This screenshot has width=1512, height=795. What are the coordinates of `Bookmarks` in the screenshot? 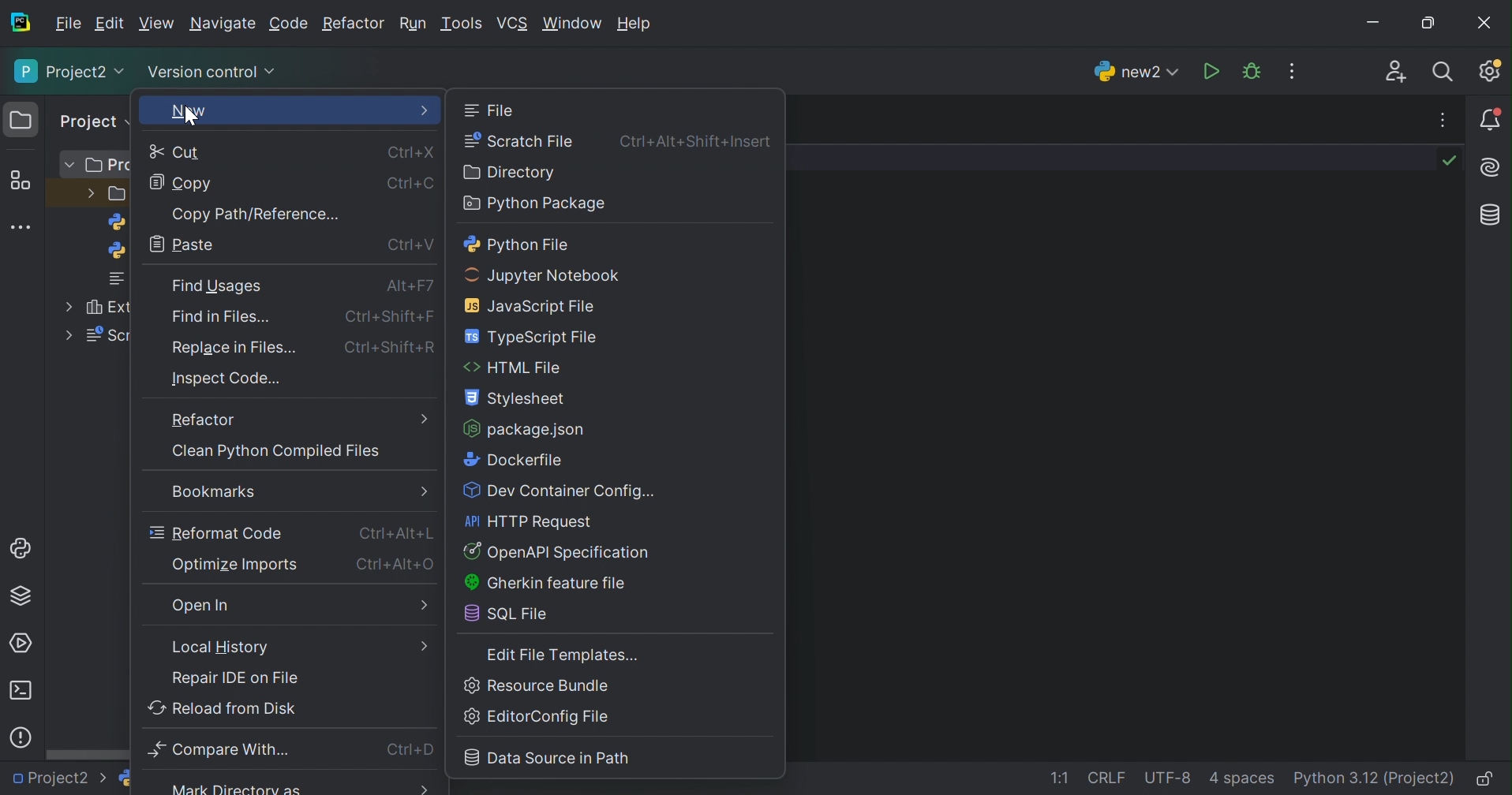 It's located at (214, 491).